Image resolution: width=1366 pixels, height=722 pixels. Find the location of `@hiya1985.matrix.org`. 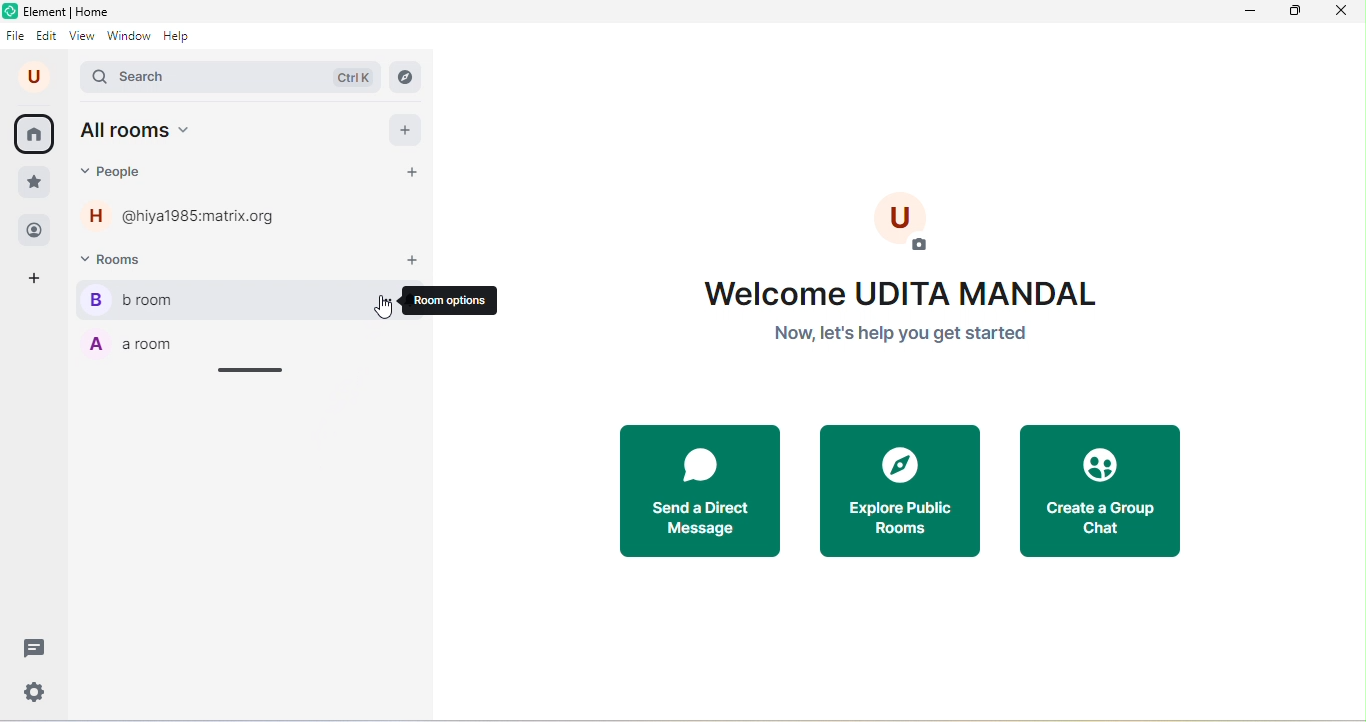

@hiya1985.matrix.org is located at coordinates (209, 216).